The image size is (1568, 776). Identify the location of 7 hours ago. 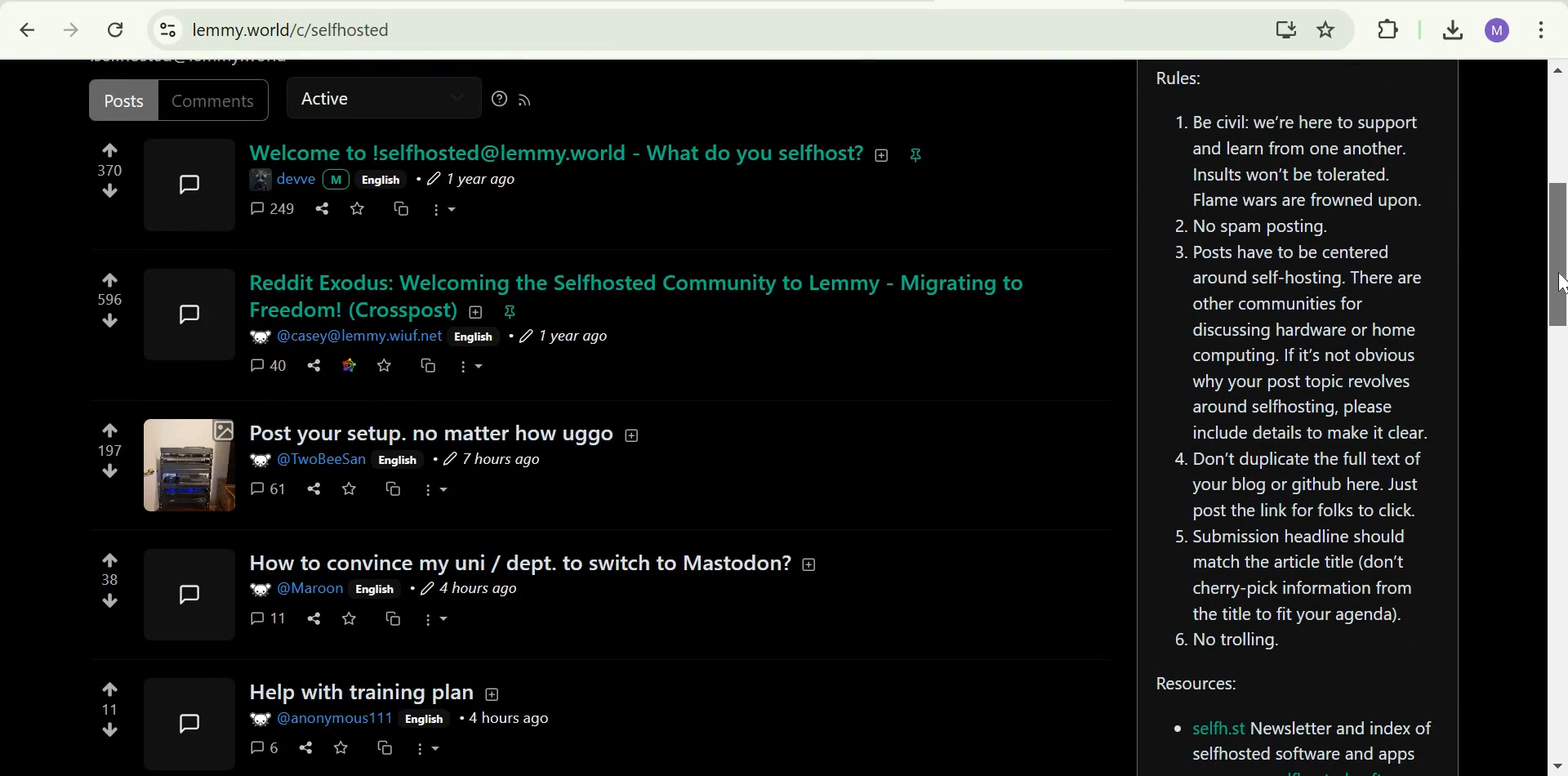
(488, 461).